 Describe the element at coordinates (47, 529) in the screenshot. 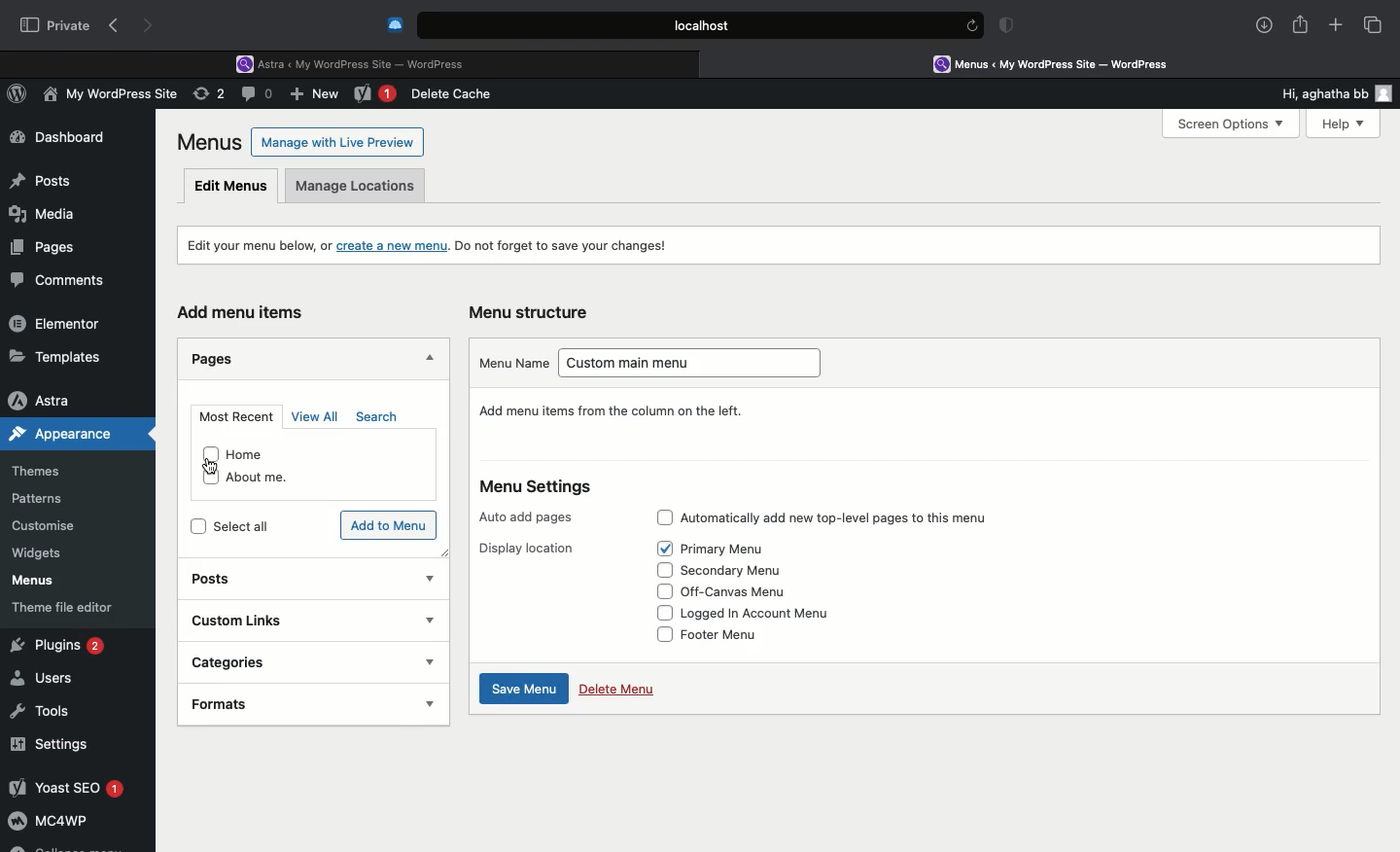

I see `Customize` at that location.